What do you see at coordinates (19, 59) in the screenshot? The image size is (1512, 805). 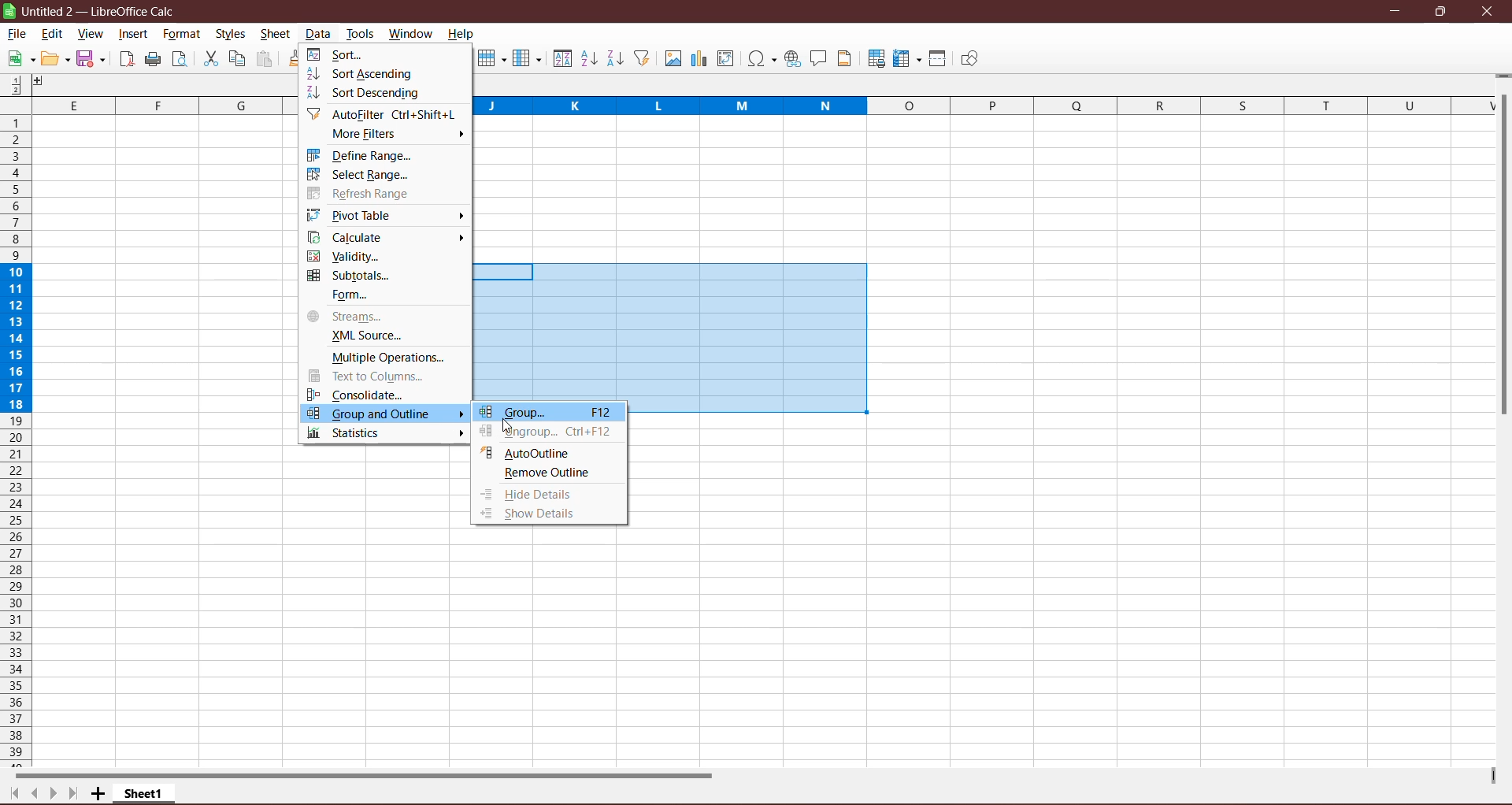 I see `New` at bounding box center [19, 59].